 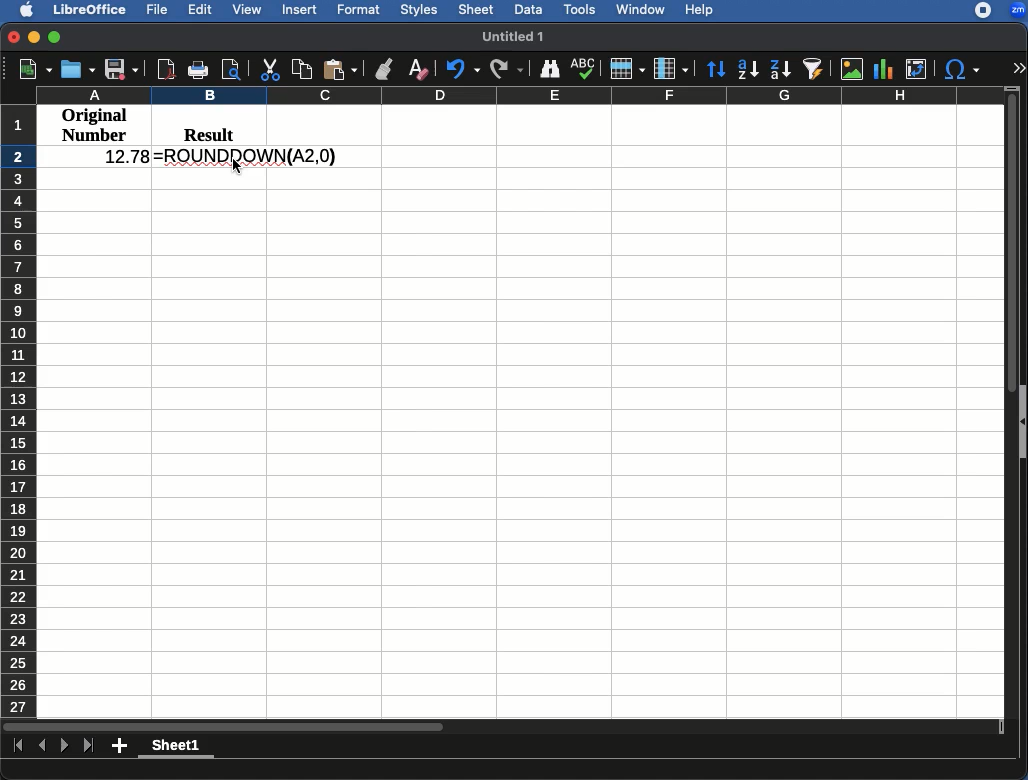 I want to click on LibreOffice, so click(x=91, y=10).